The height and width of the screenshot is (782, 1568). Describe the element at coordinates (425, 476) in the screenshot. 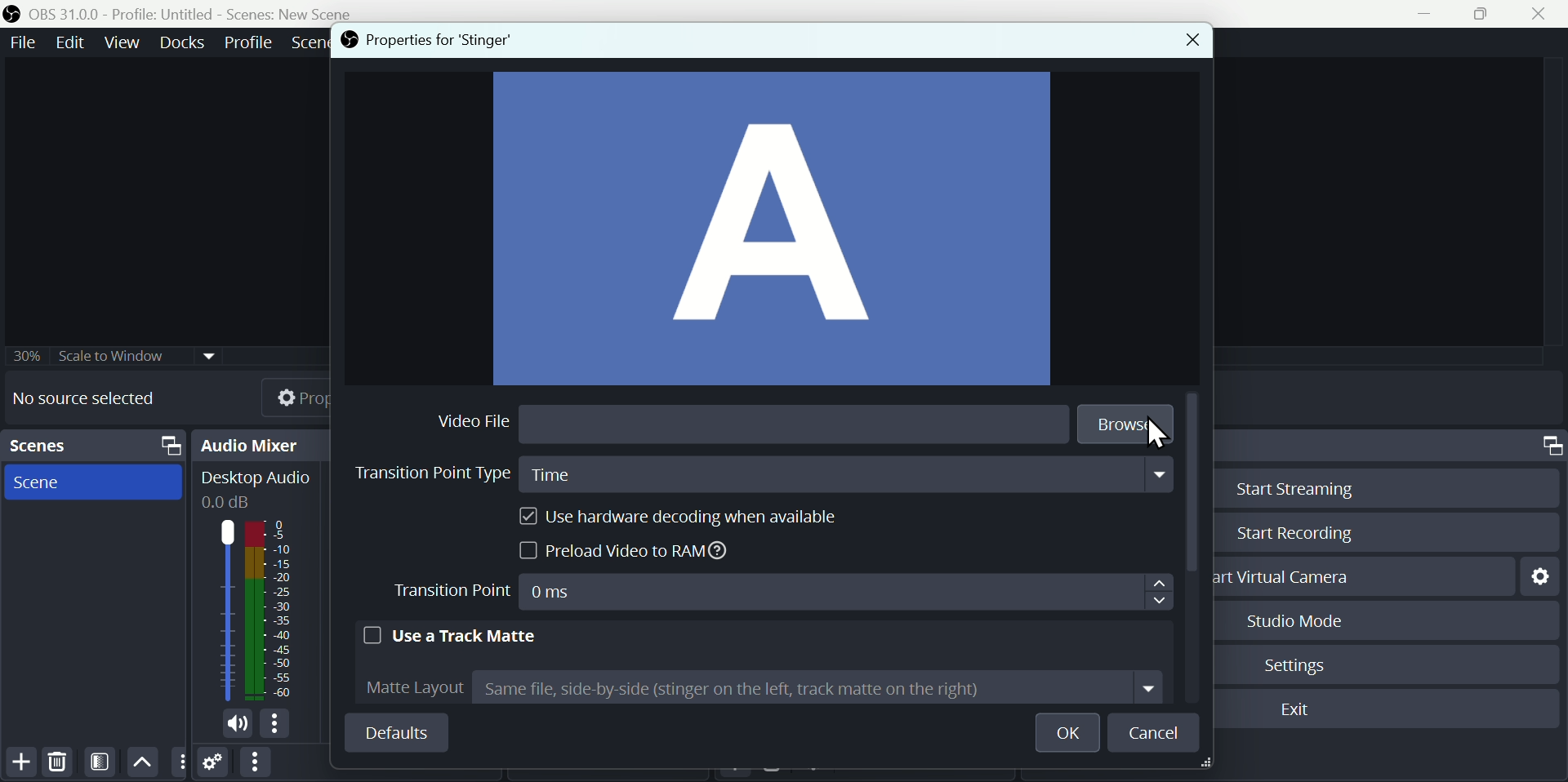

I see `transition point type` at that location.